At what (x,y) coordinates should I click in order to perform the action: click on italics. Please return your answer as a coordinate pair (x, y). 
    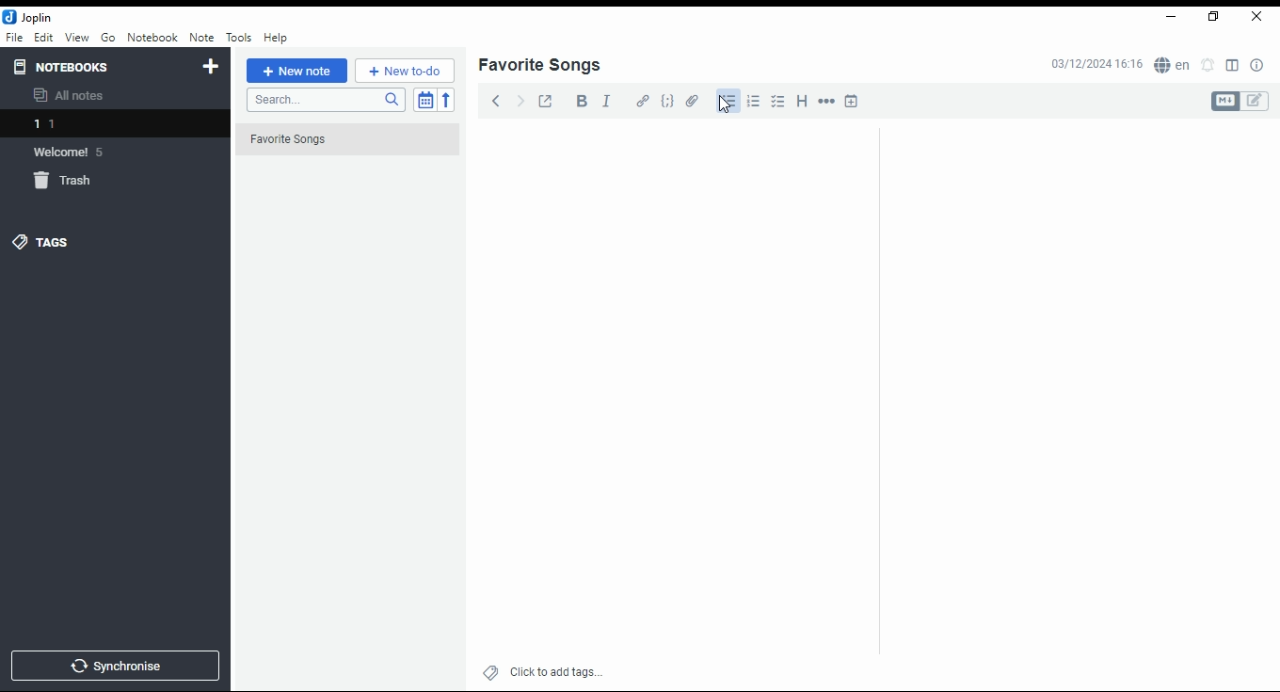
    Looking at the image, I should click on (606, 100).